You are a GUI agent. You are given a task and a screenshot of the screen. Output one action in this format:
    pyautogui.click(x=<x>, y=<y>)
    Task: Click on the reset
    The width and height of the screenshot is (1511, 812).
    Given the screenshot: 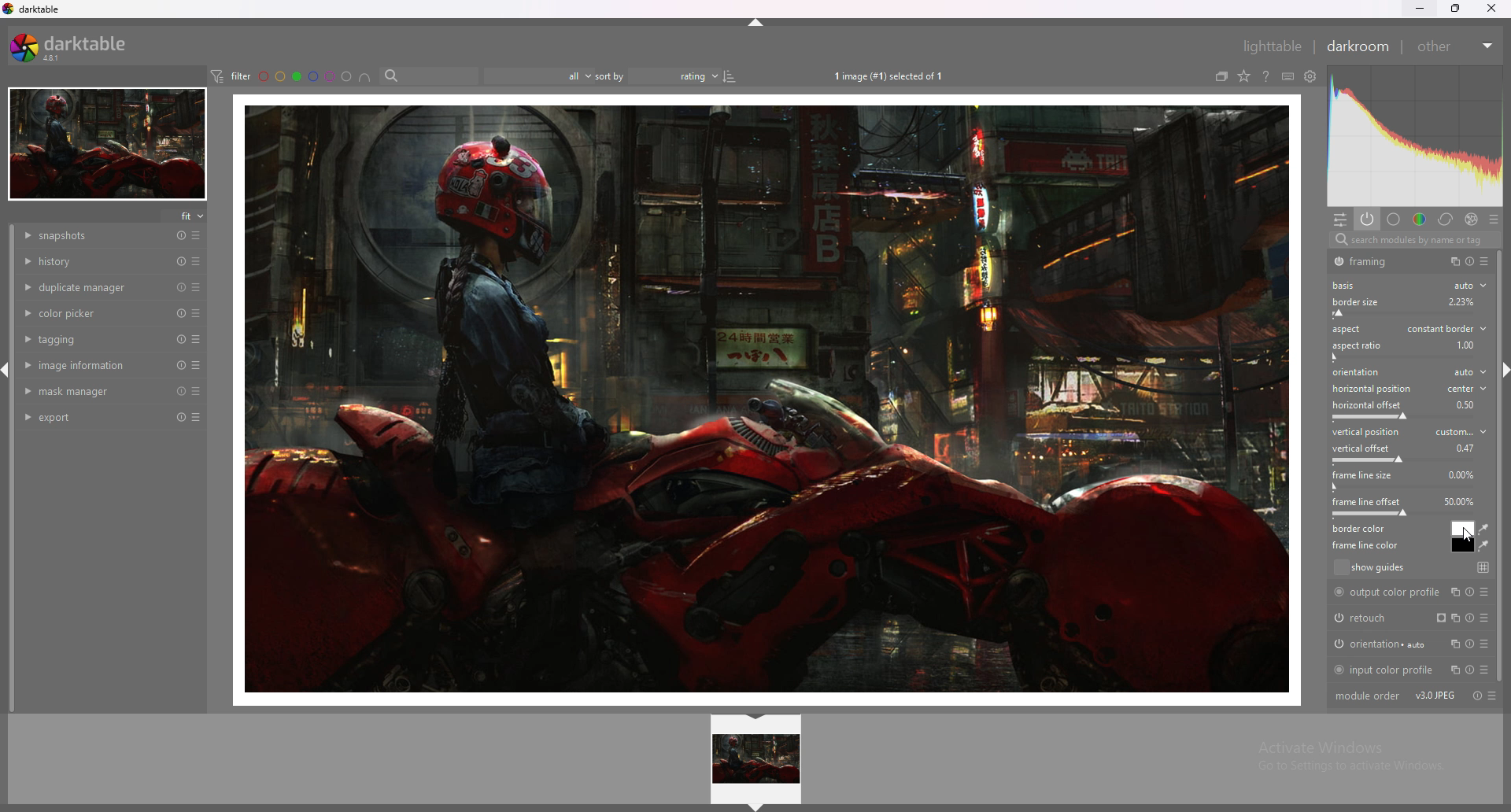 What is the action you would take?
    pyautogui.click(x=182, y=366)
    